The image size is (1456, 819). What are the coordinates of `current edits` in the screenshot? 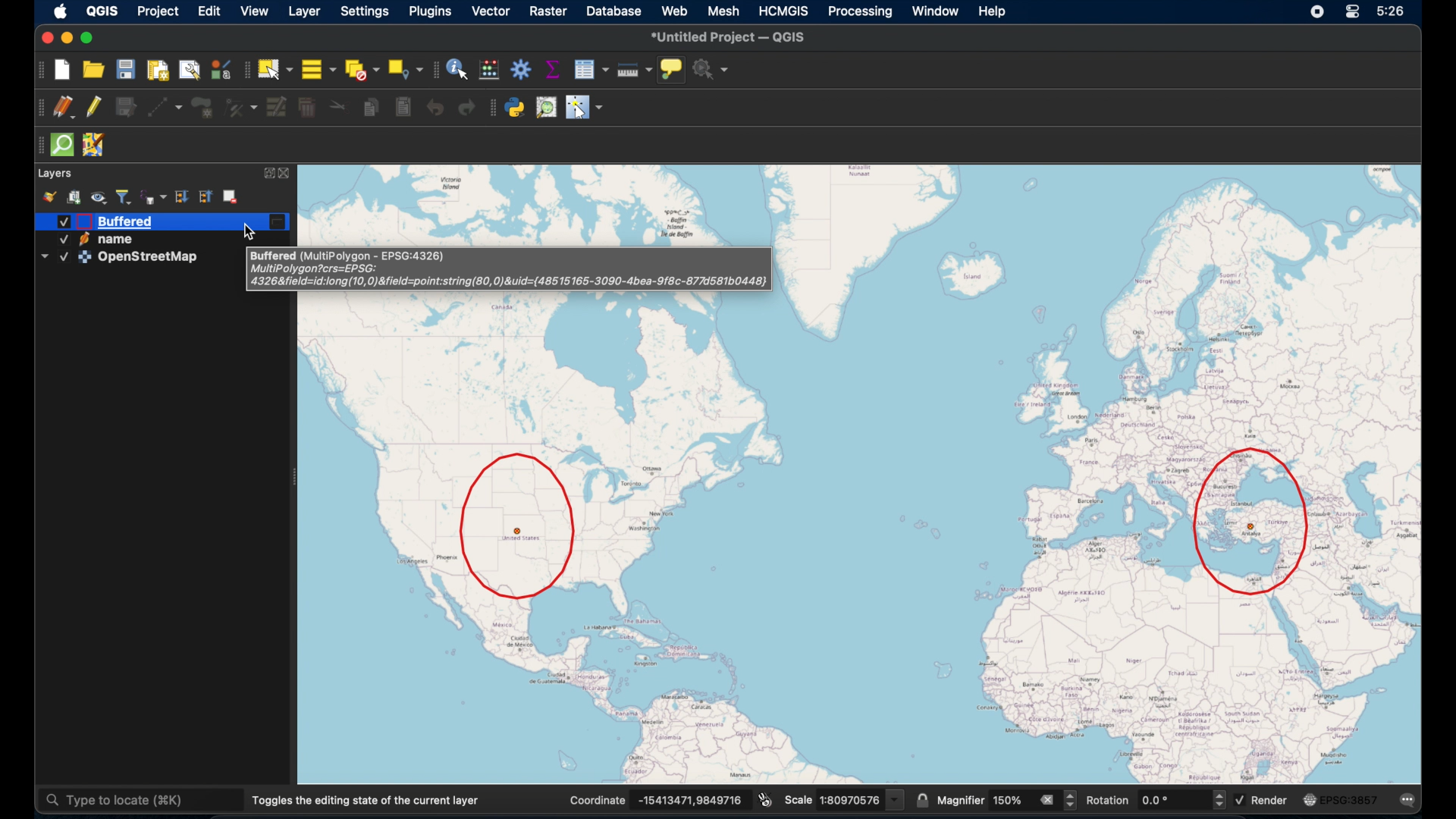 It's located at (64, 108).